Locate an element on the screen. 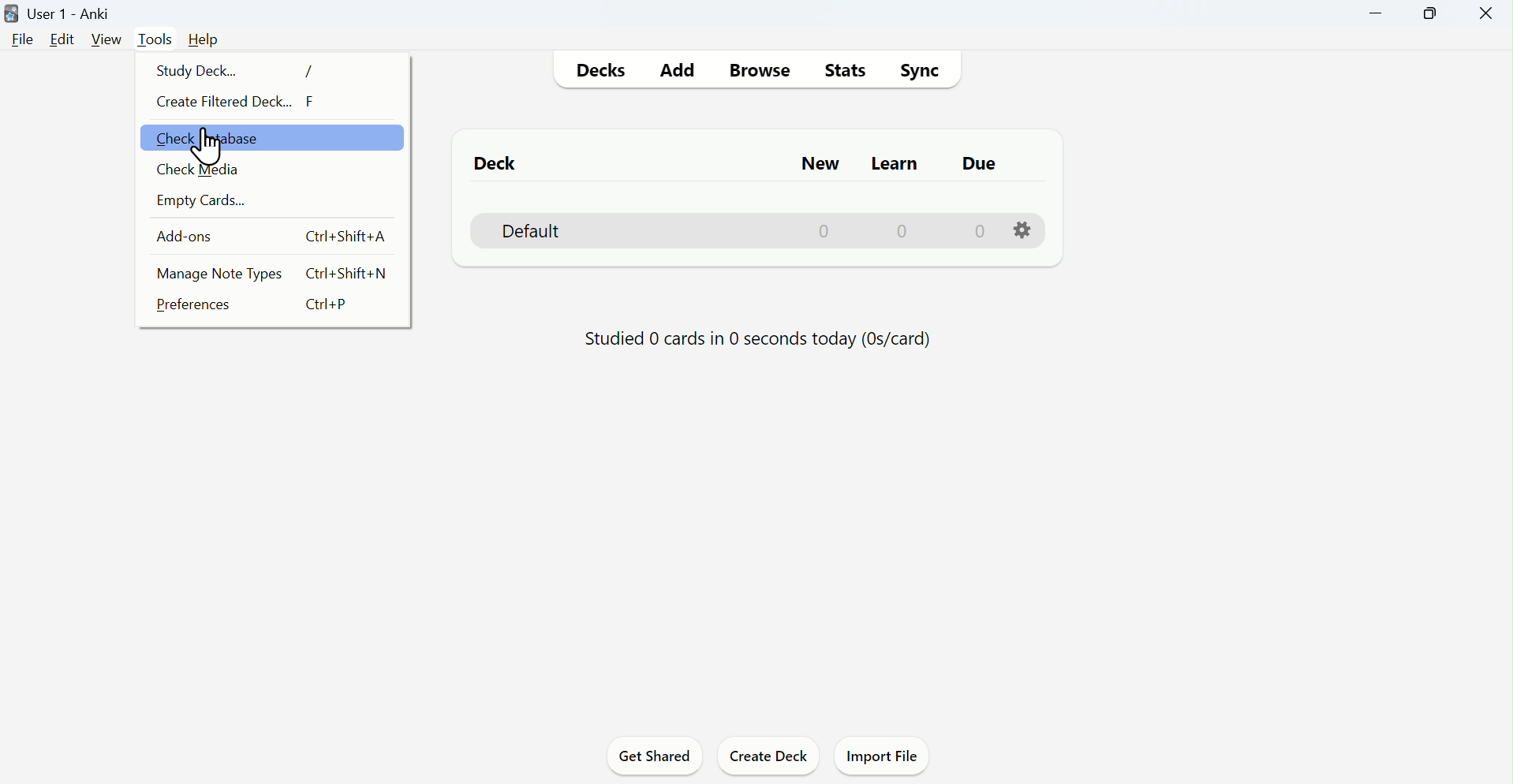  Learn is located at coordinates (890, 162).